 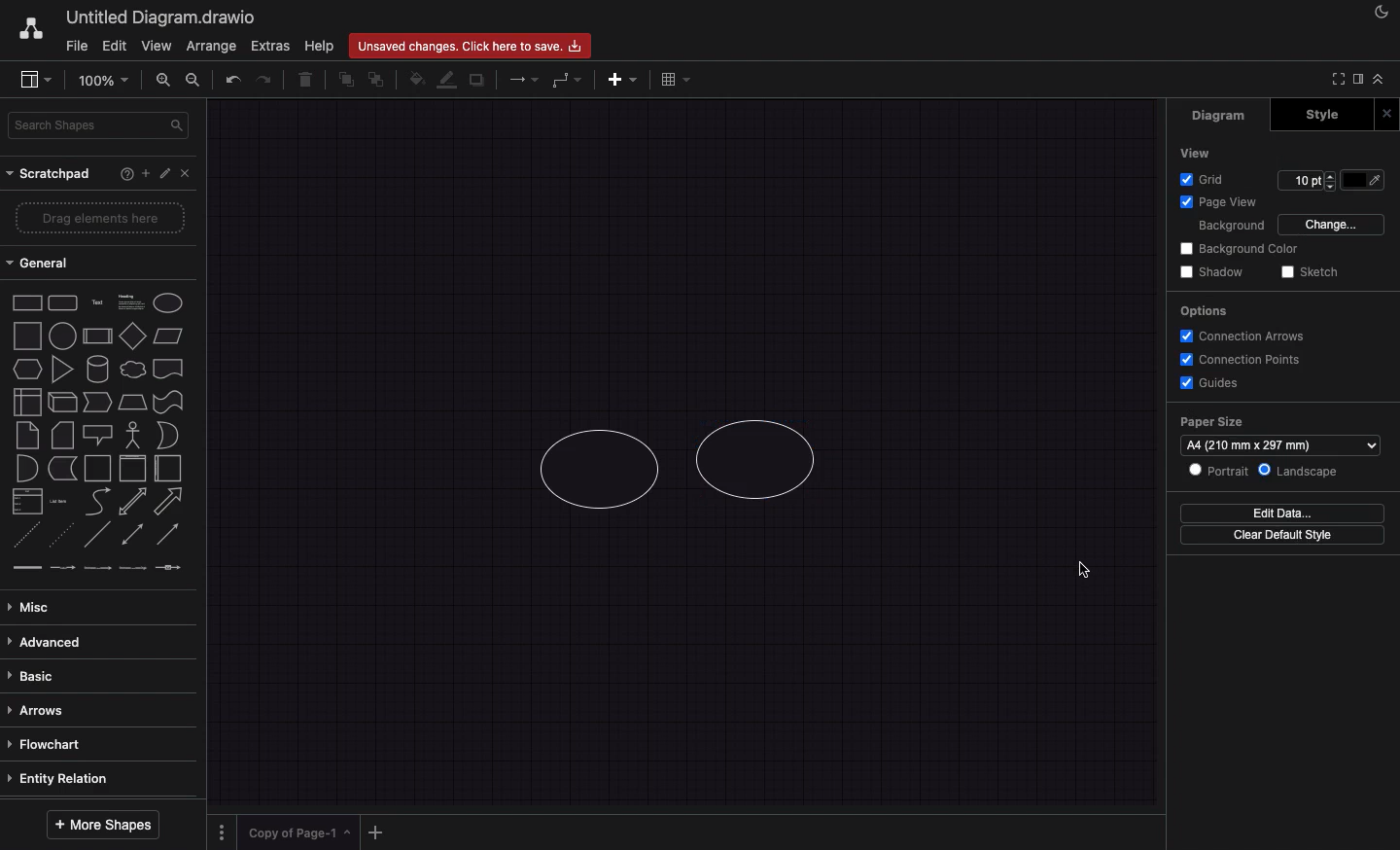 What do you see at coordinates (134, 502) in the screenshot?
I see `bidirectional arrow` at bounding box center [134, 502].